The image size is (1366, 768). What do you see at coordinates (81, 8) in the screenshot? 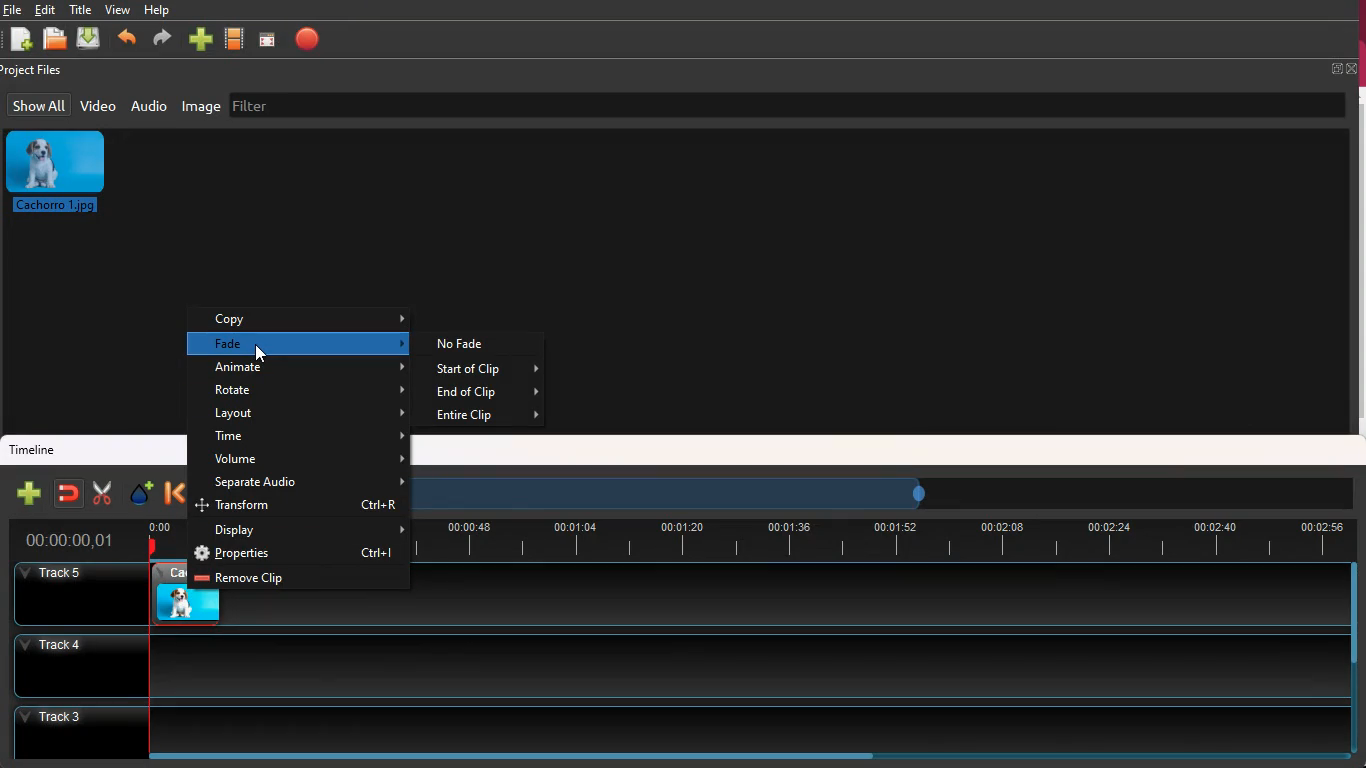
I see `title` at bounding box center [81, 8].